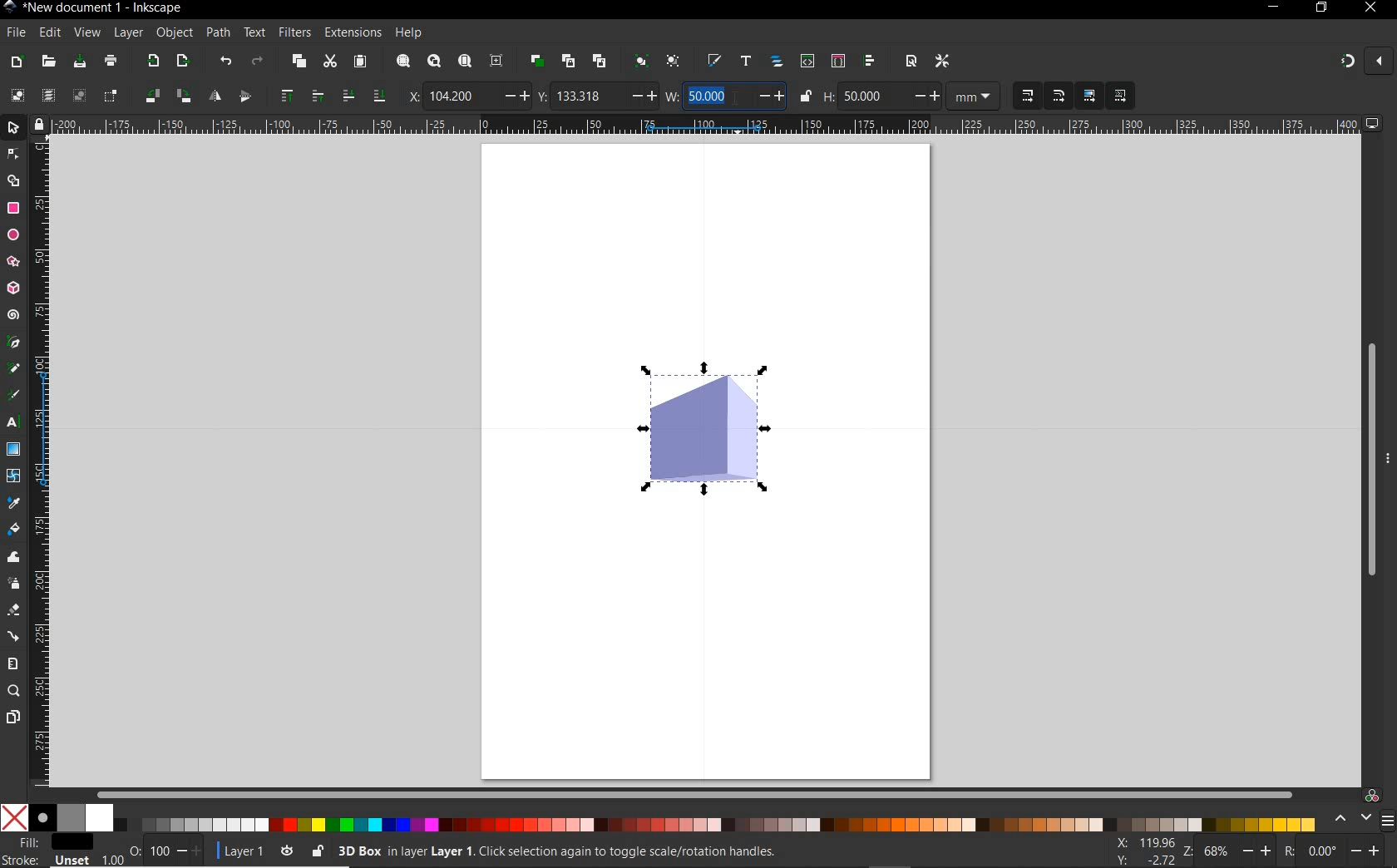 Image resolution: width=1397 pixels, height=868 pixels. What do you see at coordinates (975, 97) in the screenshot?
I see `measurement` at bounding box center [975, 97].